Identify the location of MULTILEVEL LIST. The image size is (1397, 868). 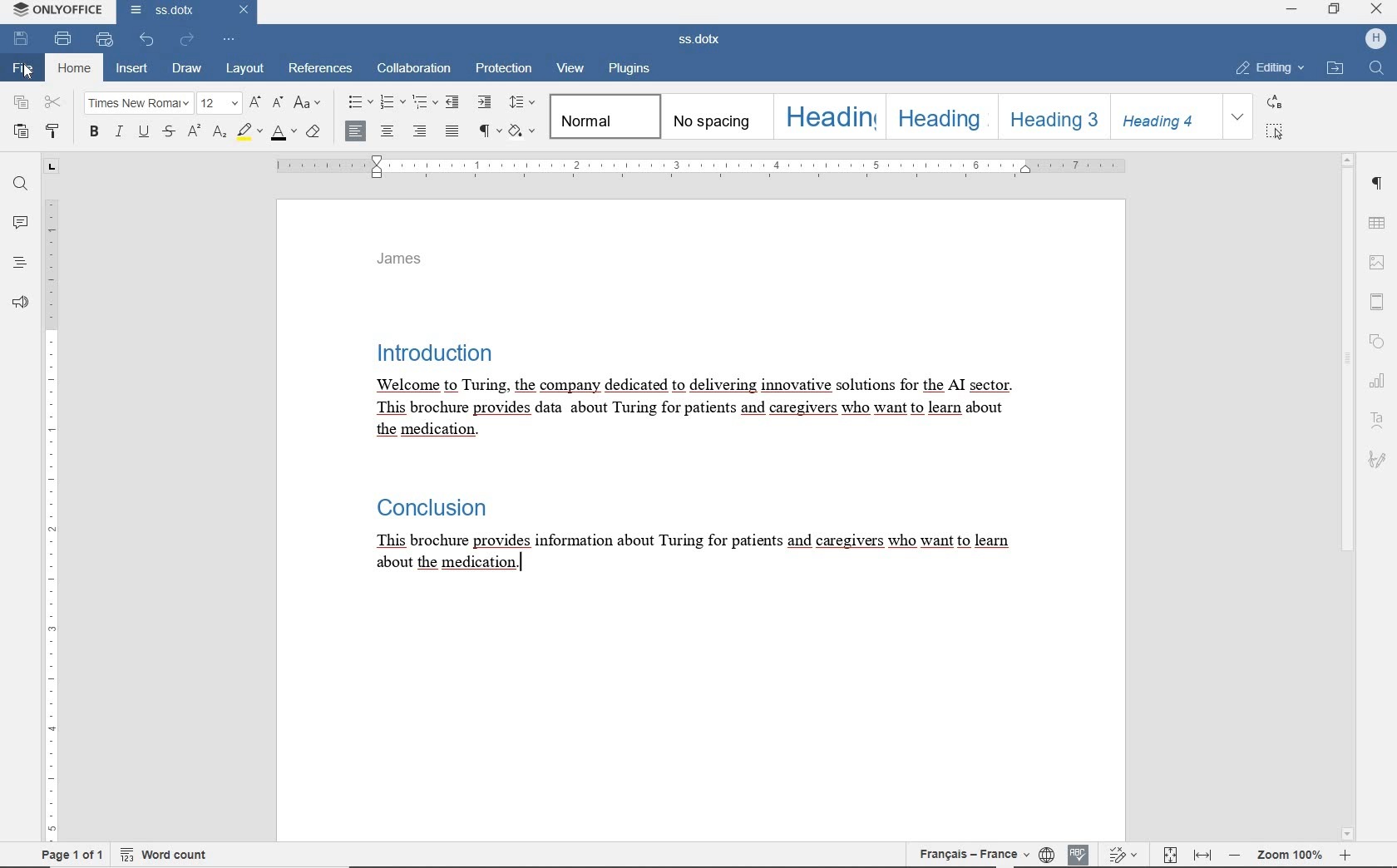
(426, 102).